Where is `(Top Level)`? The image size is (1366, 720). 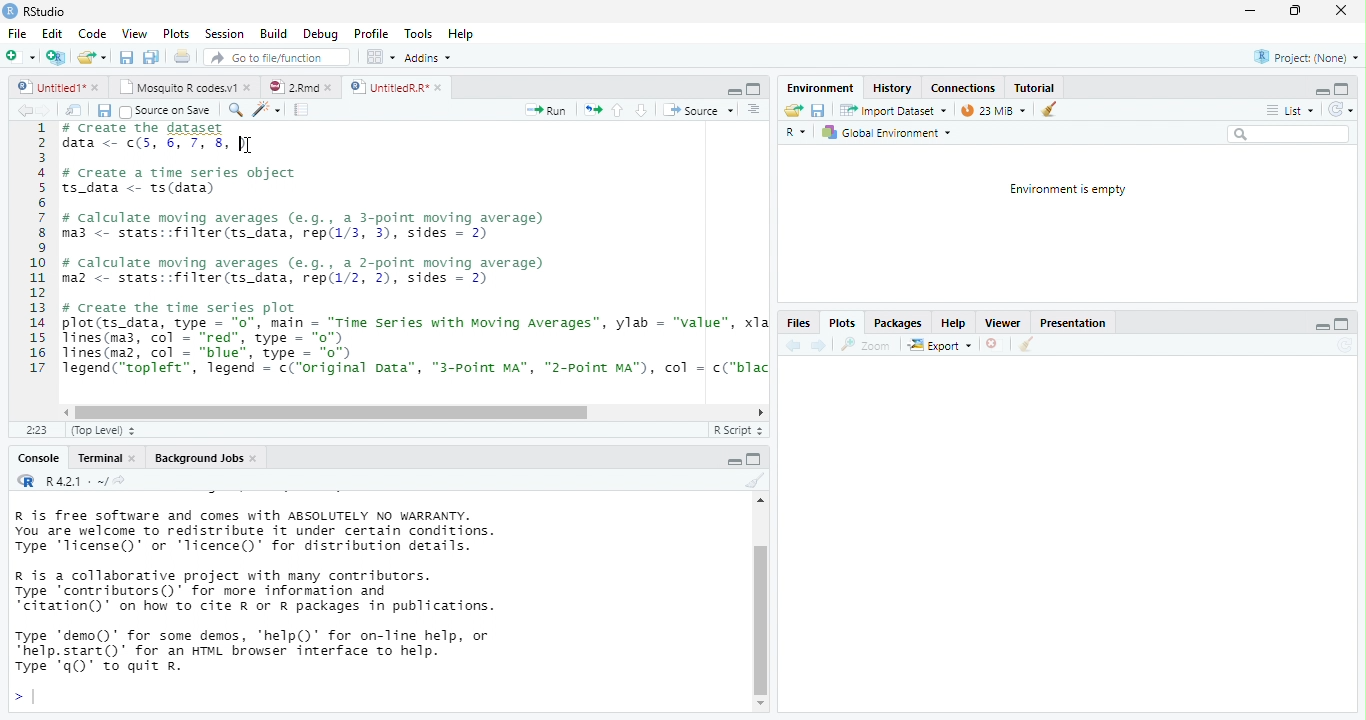 (Top Level) is located at coordinates (98, 431).